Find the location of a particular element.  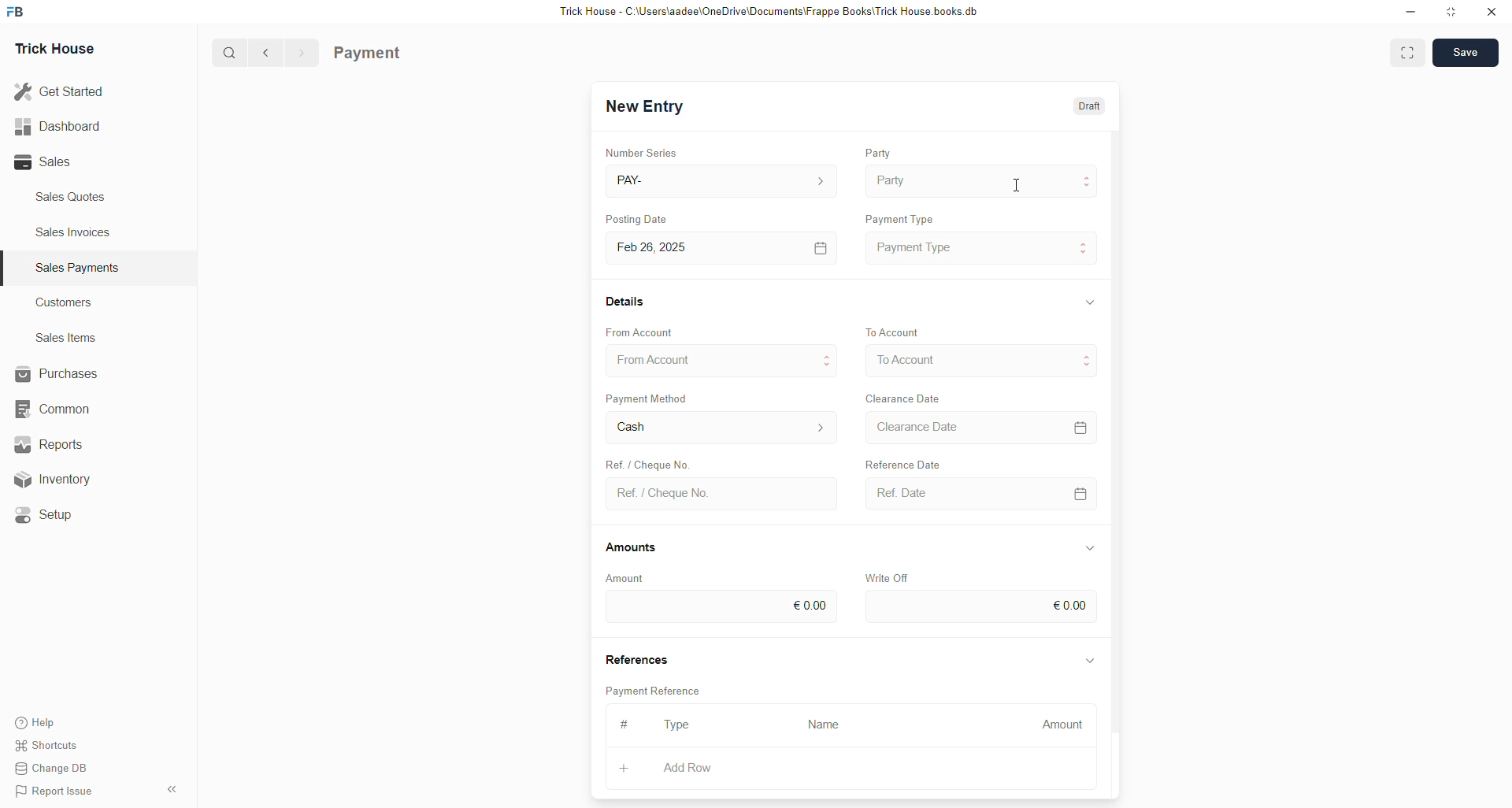

Sales is located at coordinates (47, 162).